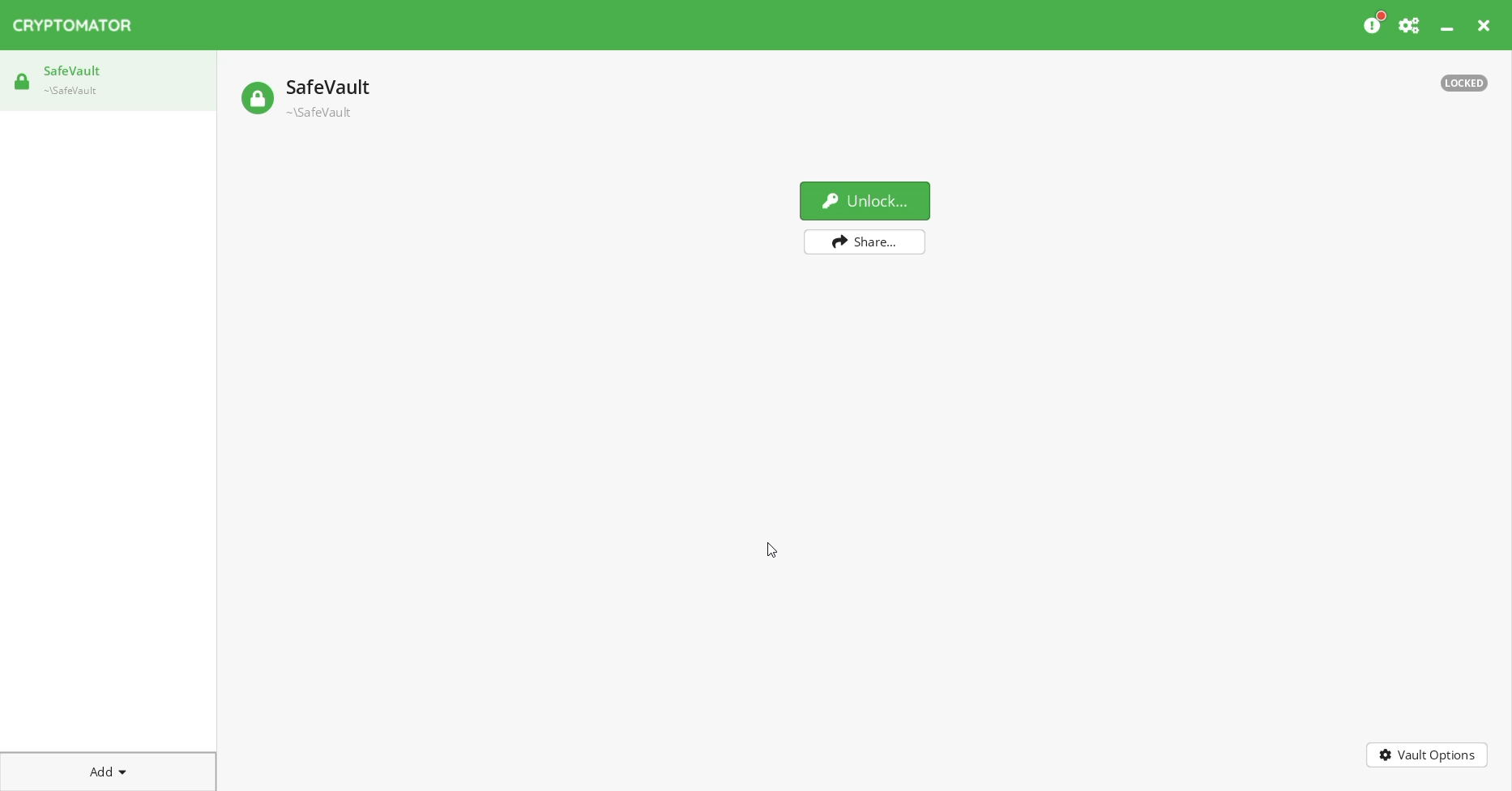 The image size is (1512, 791). I want to click on Safe vault, so click(307, 96).